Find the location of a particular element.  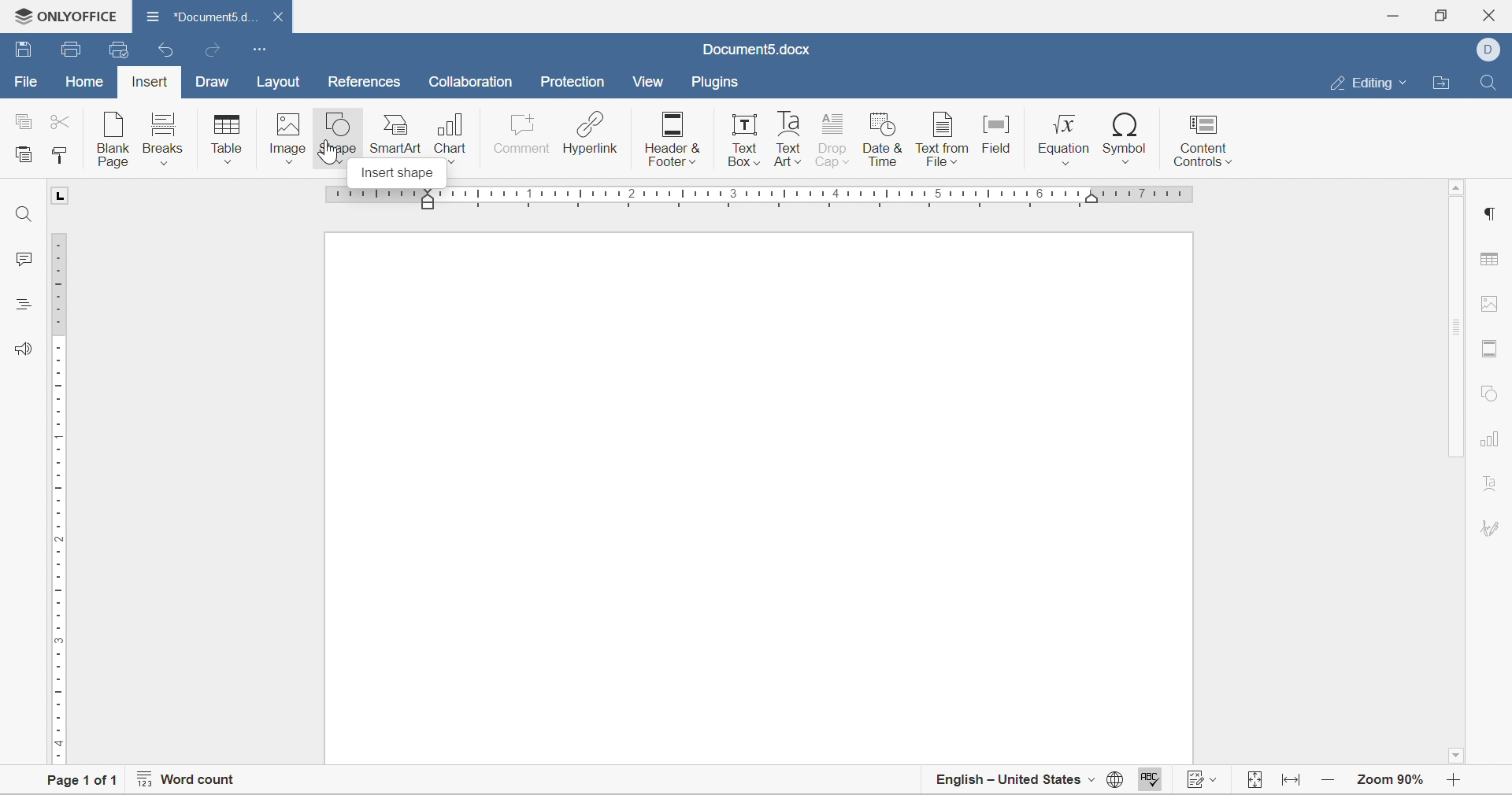

scroll up is located at coordinates (1458, 187).